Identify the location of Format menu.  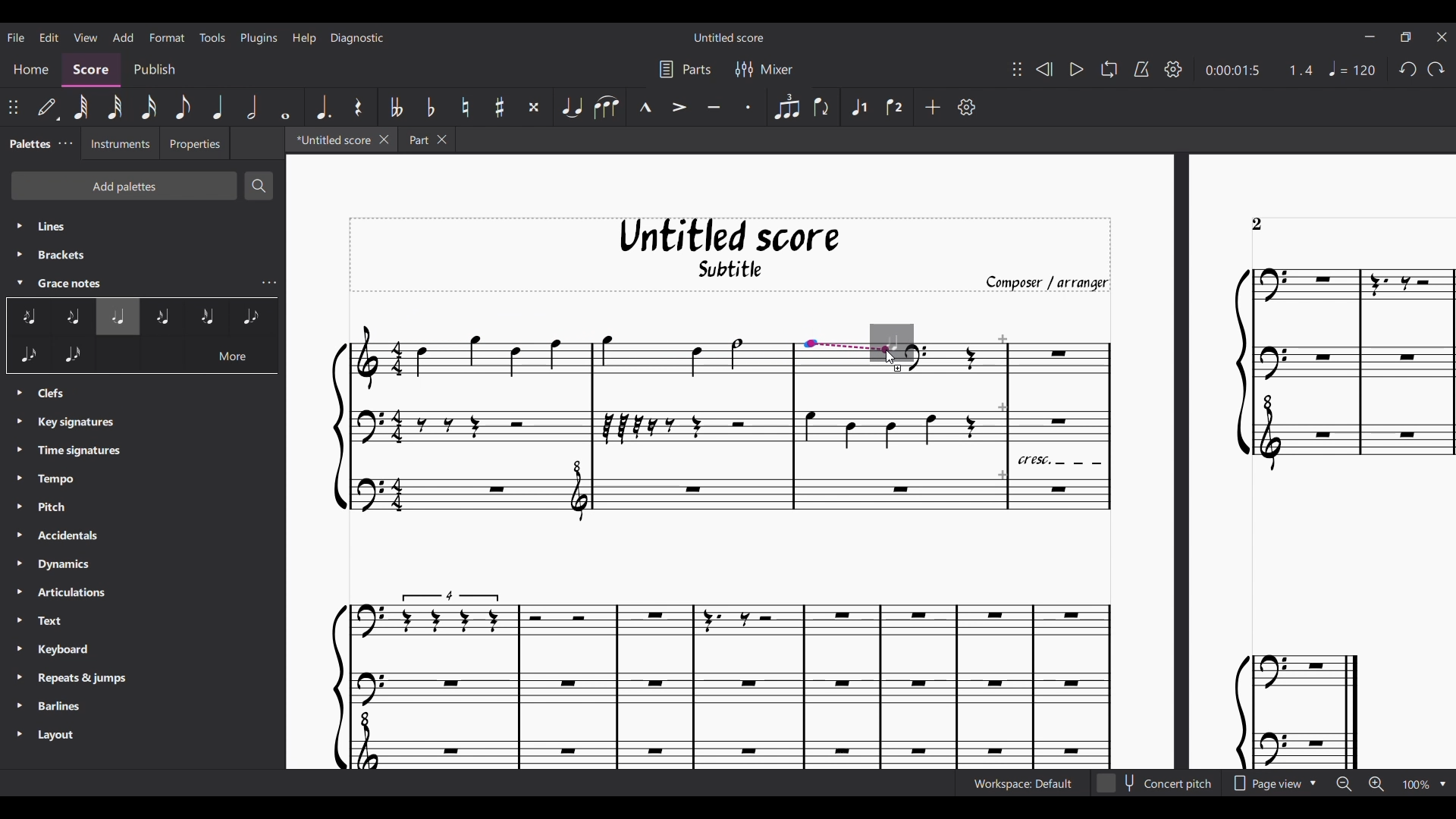
(167, 37).